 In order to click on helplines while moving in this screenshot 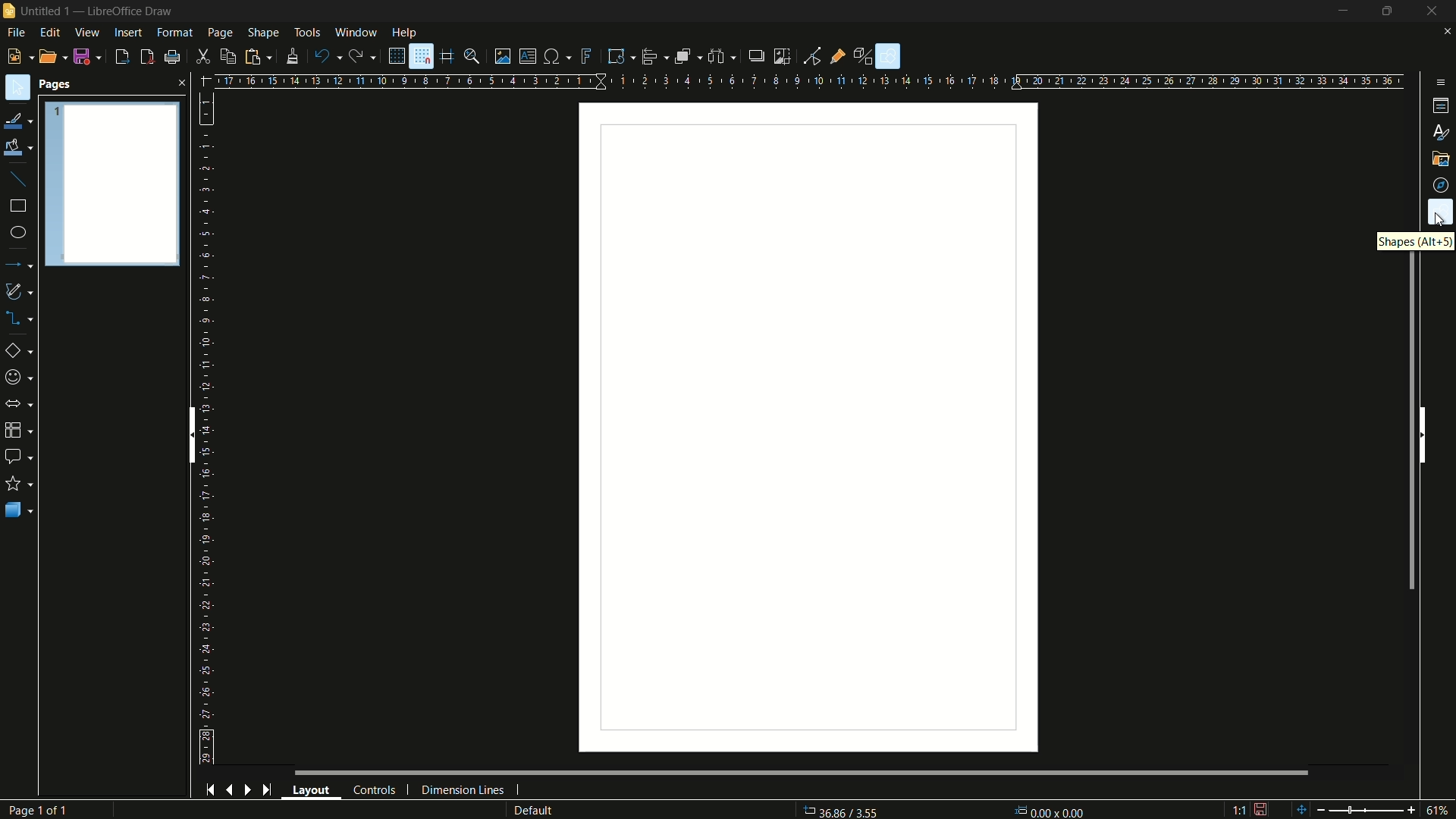, I will do `click(447, 58)`.